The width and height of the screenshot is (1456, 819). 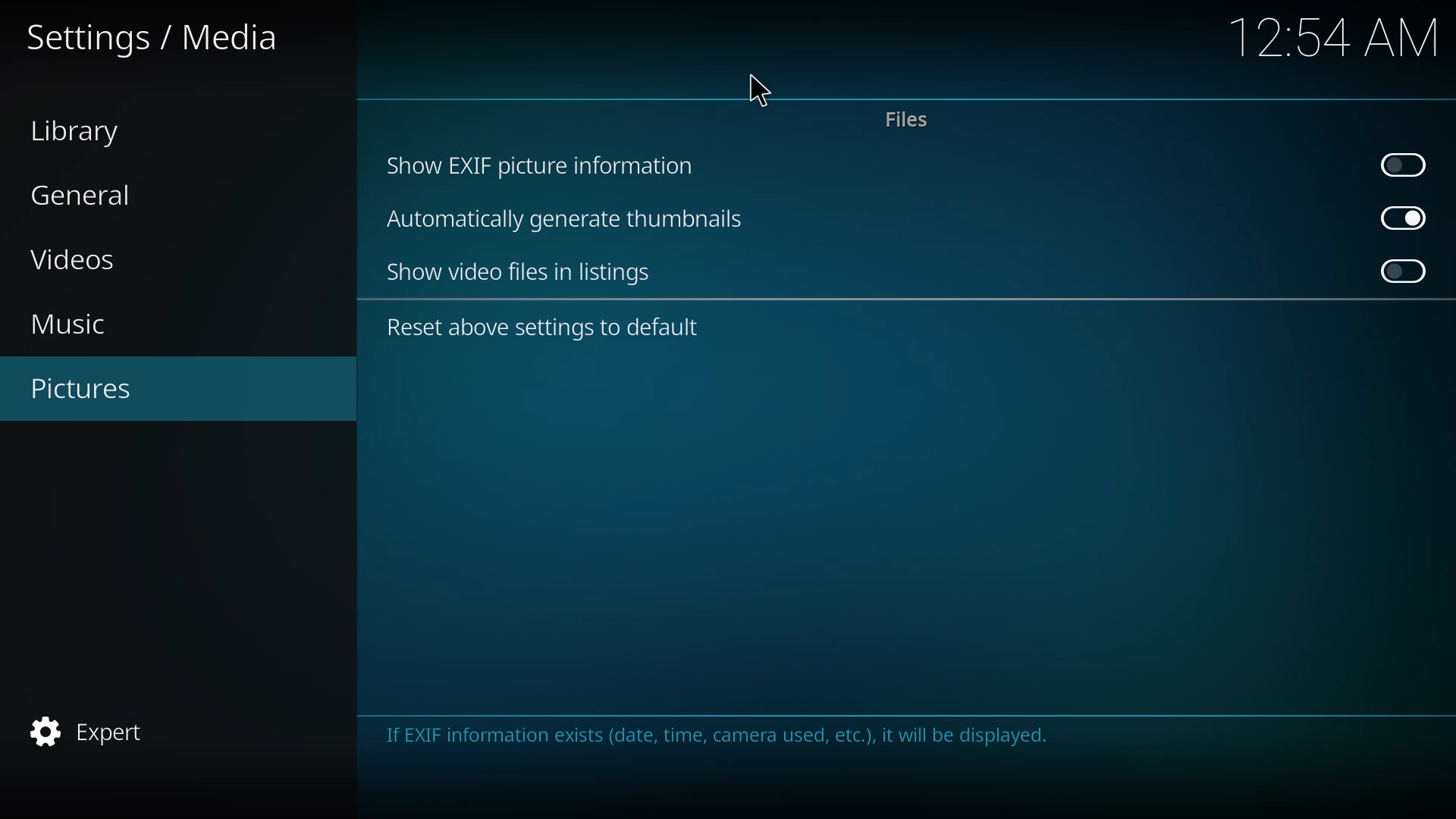 I want to click on disabled, so click(x=1407, y=270).